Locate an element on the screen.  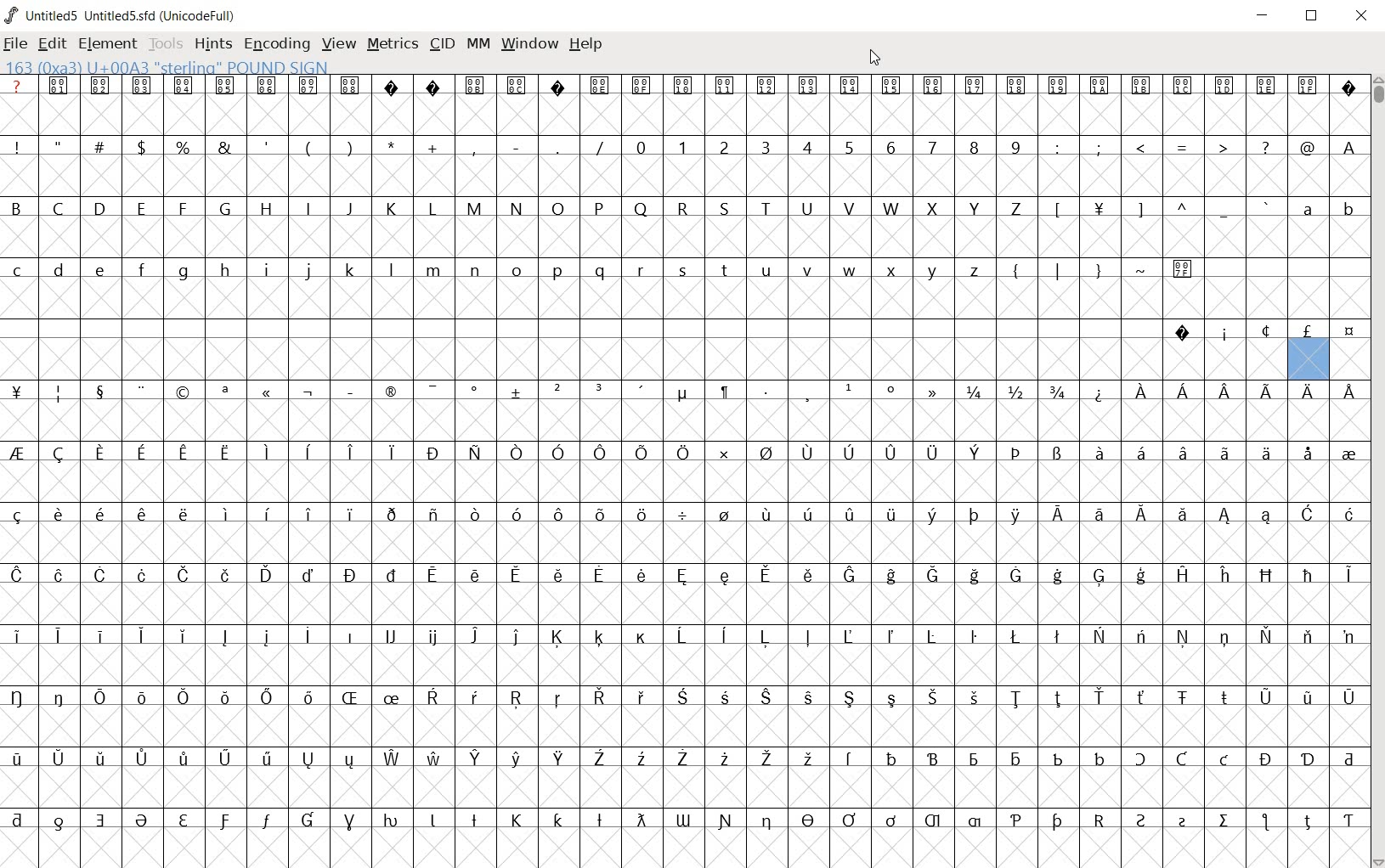
Symbol is located at coordinates (850, 514).